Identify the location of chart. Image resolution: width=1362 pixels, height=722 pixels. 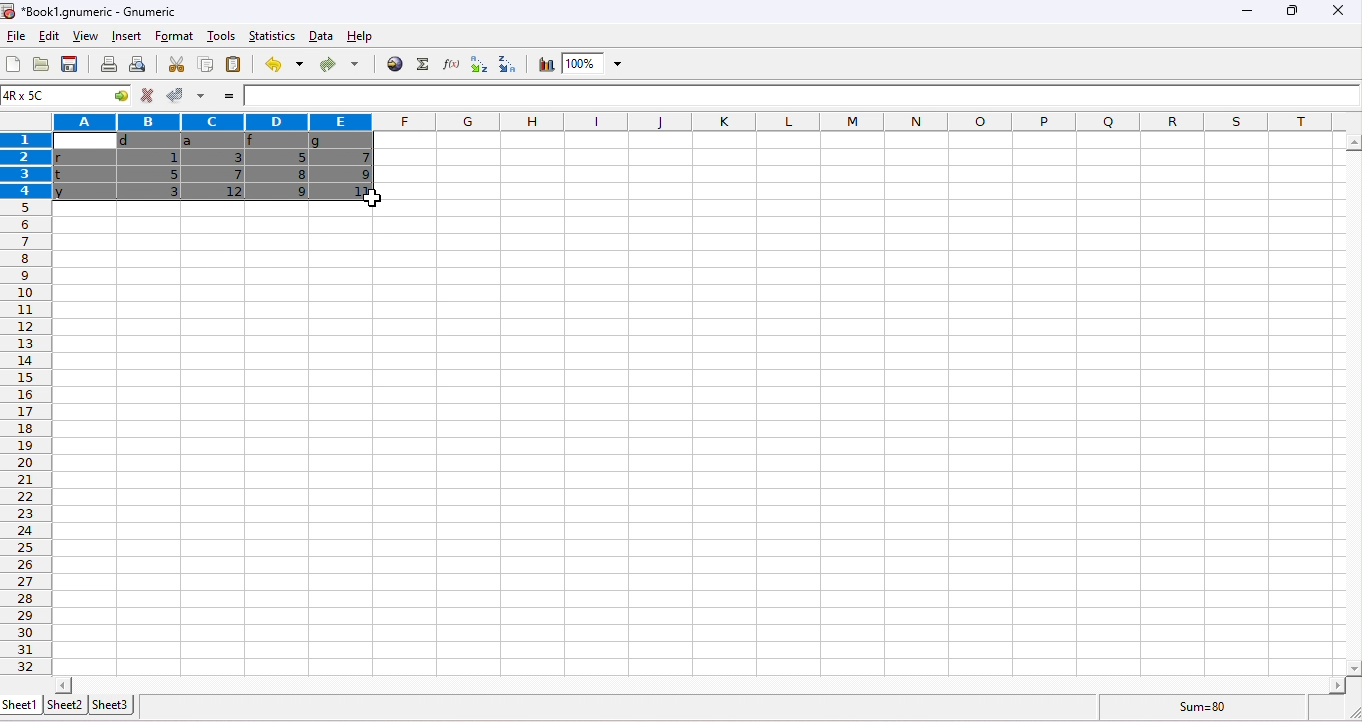
(543, 64).